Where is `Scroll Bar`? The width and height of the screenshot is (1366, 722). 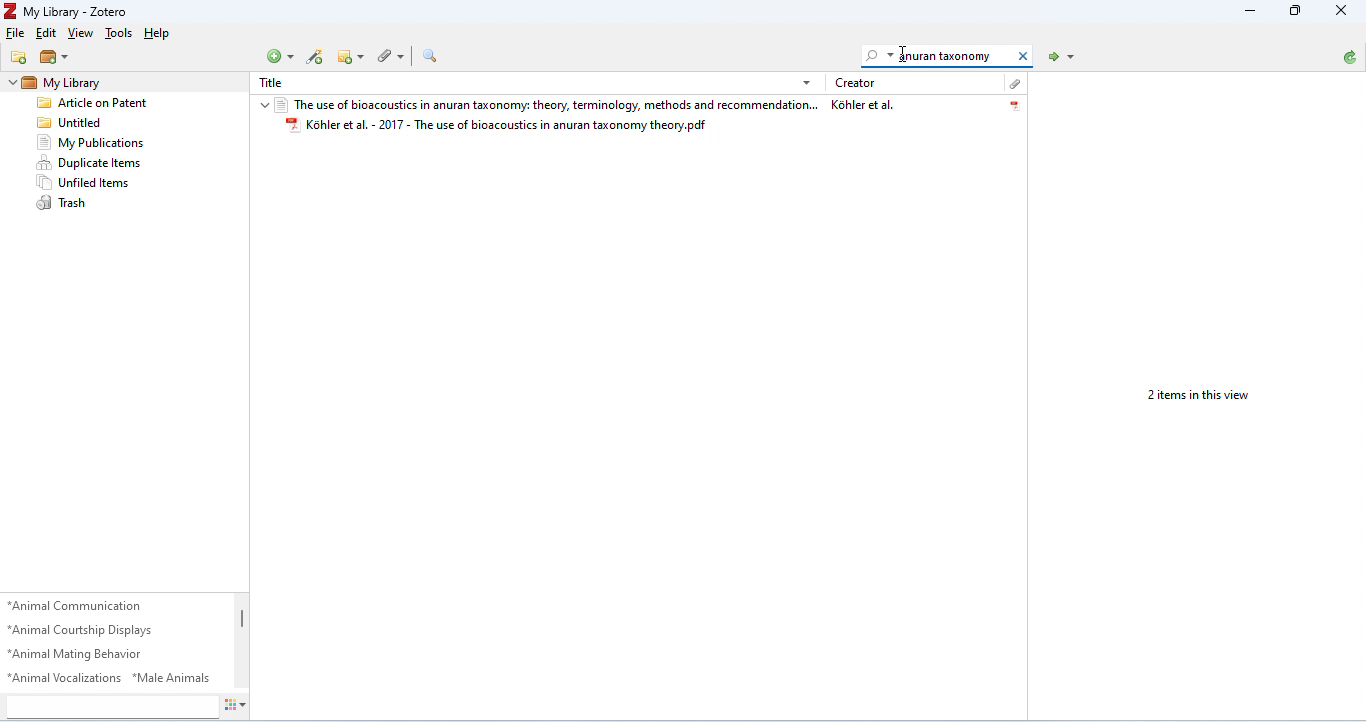 Scroll Bar is located at coordinates (244, 642).